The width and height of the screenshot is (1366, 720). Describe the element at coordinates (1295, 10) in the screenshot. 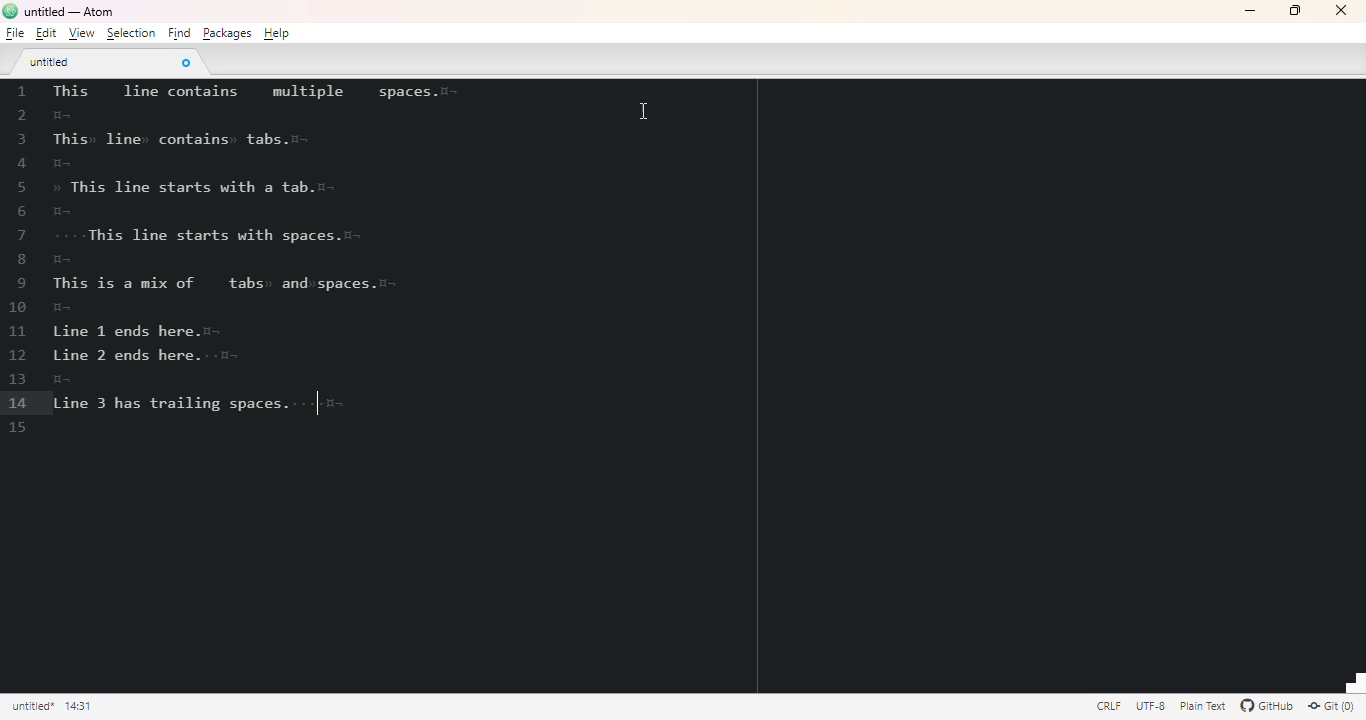

I see `maximize` at that location.